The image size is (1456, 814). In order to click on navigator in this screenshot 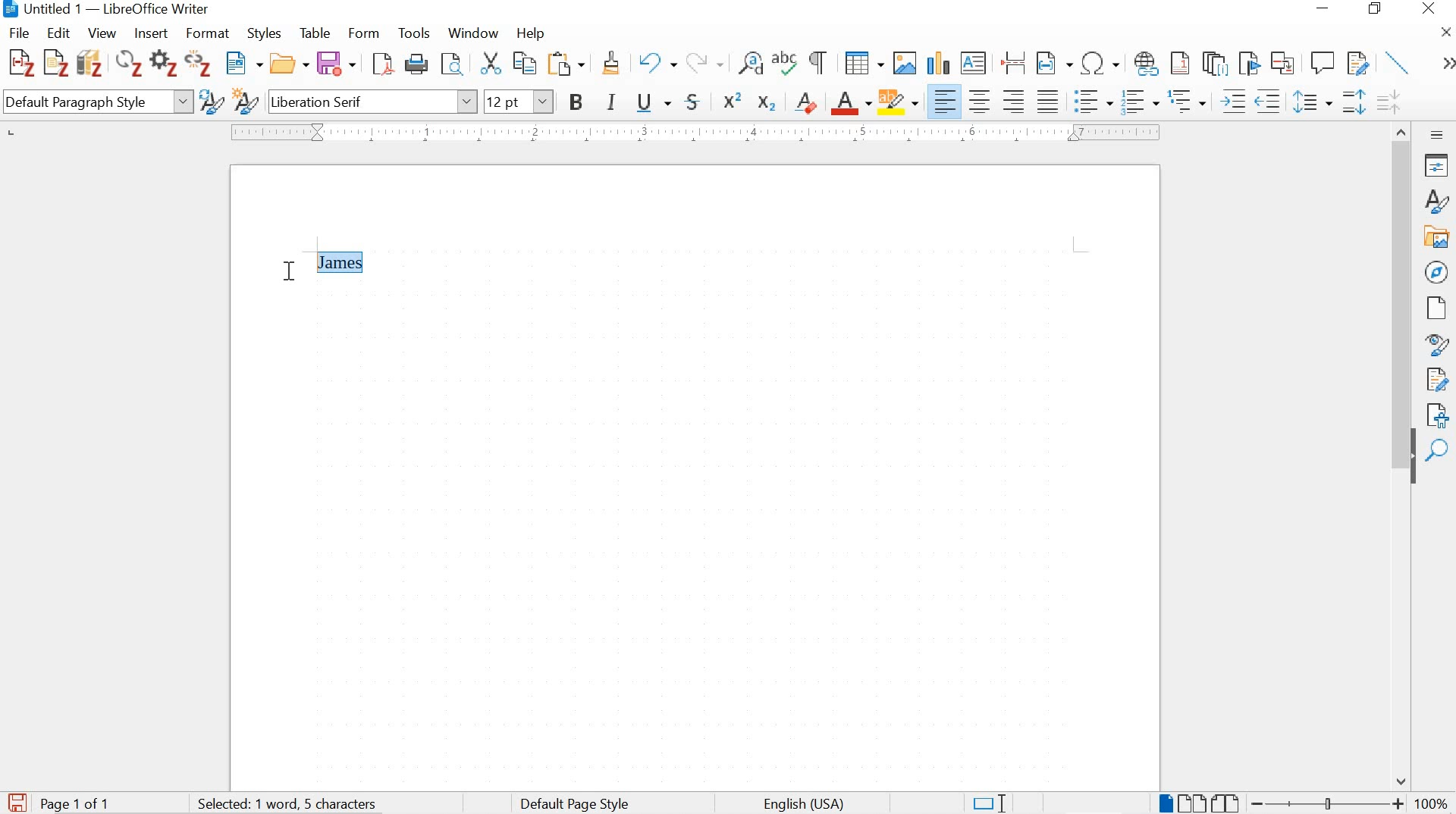, I will do `click(1439, 271)`.